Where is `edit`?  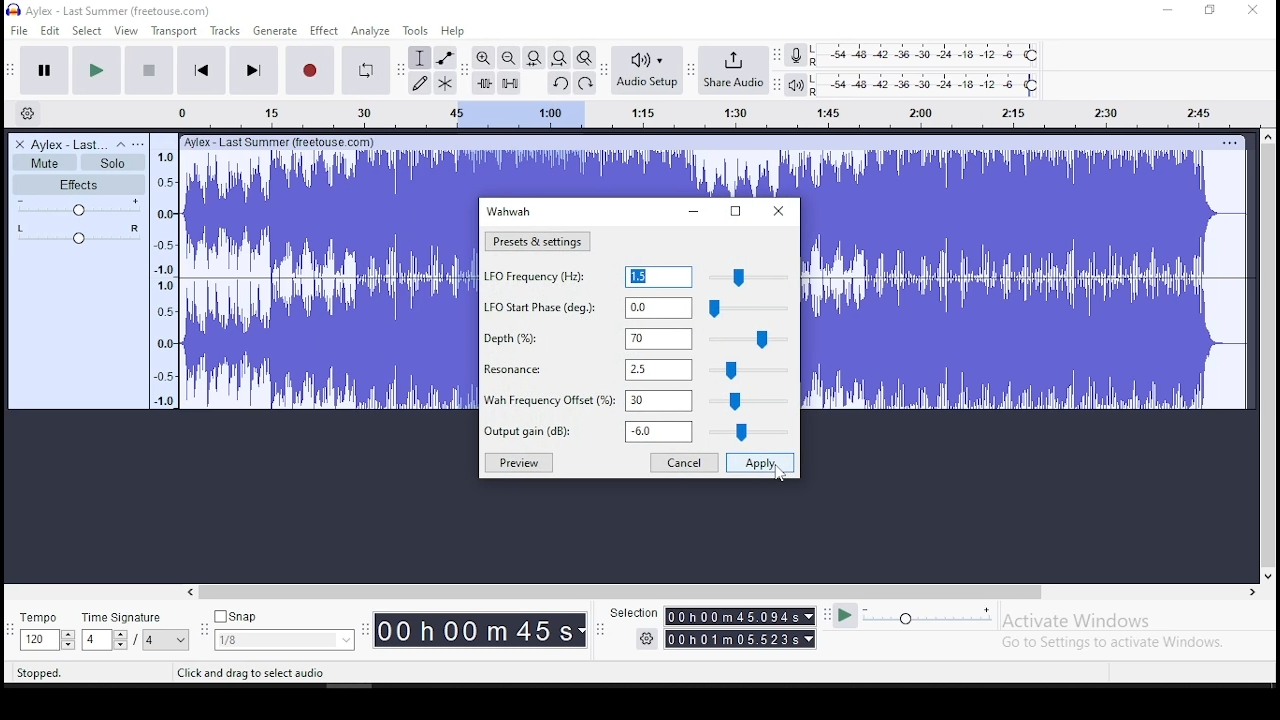 edit is located at coordinates (50, 31).